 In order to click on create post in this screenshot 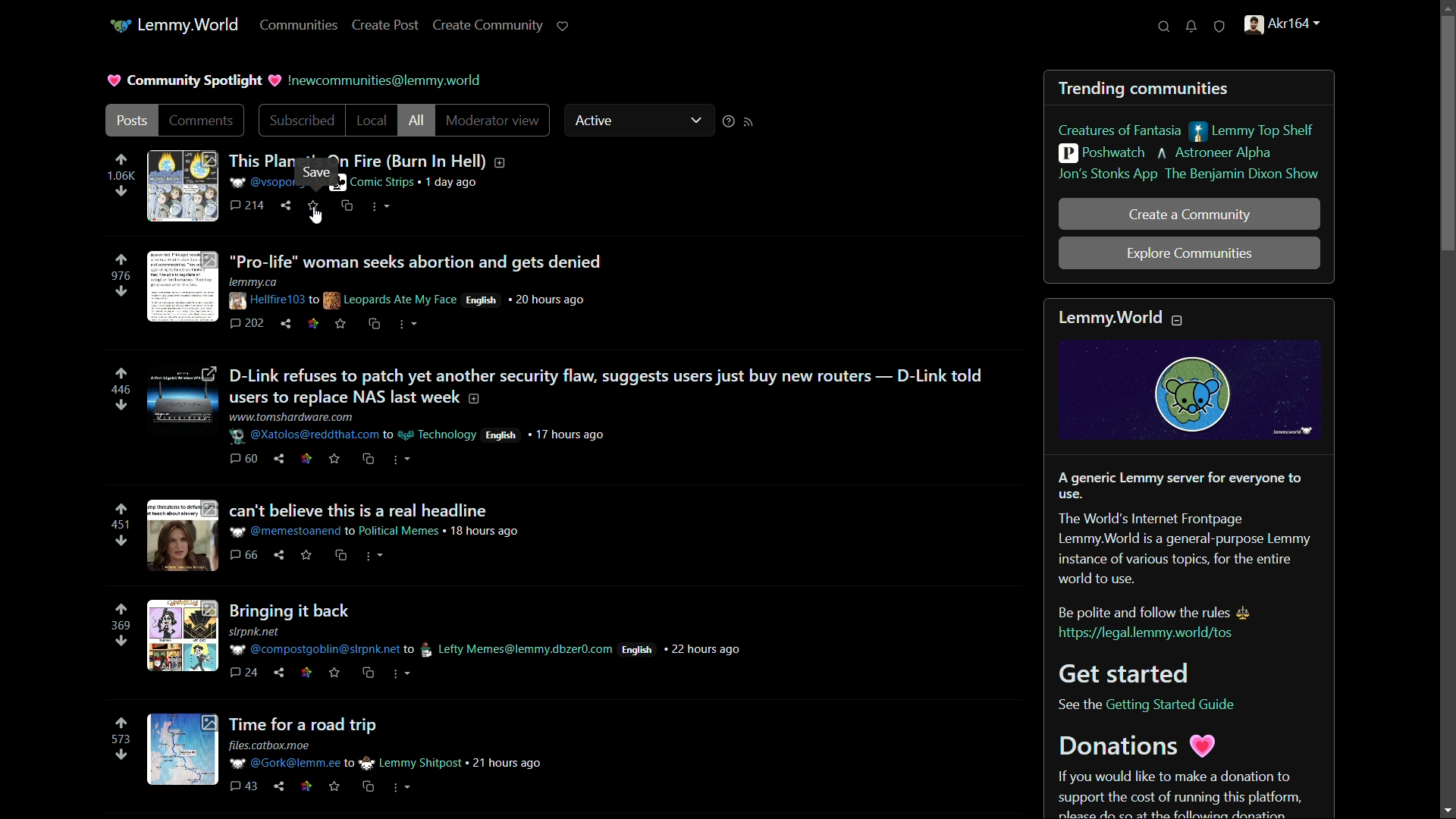, I will do `click(386, 27)`.